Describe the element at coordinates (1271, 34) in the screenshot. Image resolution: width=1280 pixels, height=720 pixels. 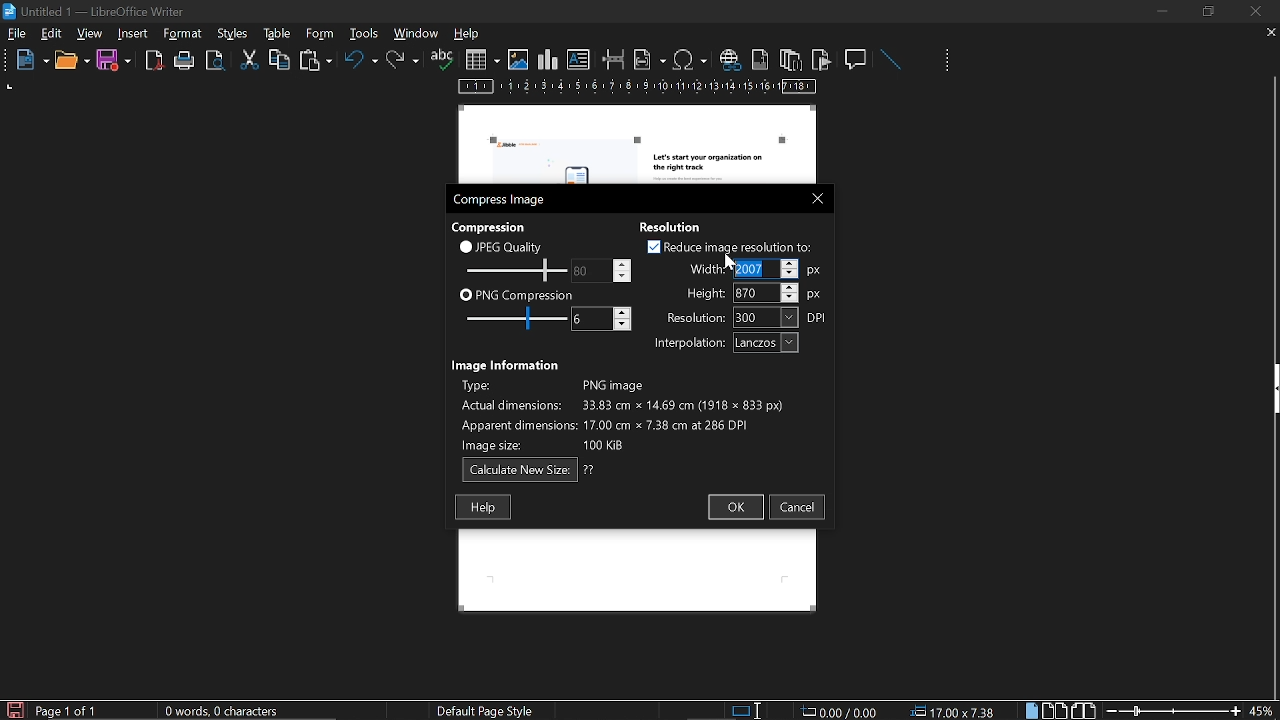
I see `close tab` at that location.